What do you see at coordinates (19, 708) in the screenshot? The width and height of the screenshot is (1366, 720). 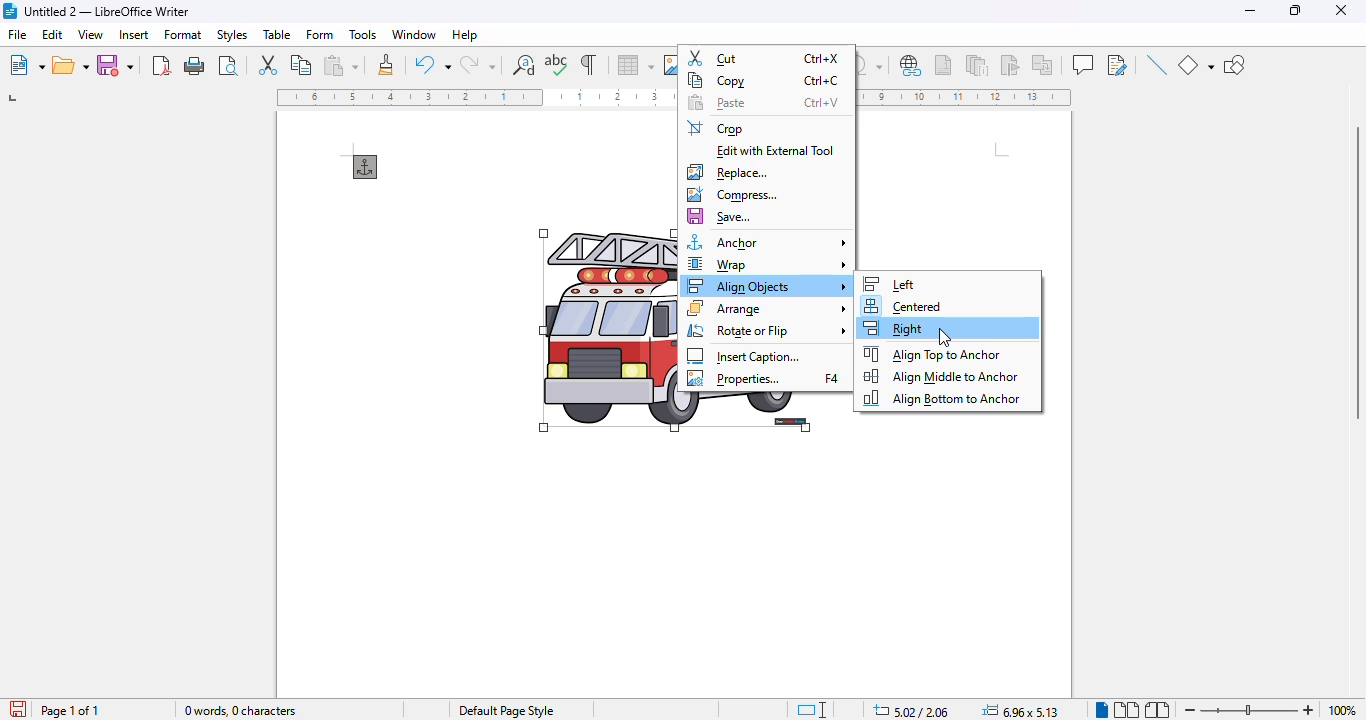 I see `click to save document` at bounding box center [19, 708].